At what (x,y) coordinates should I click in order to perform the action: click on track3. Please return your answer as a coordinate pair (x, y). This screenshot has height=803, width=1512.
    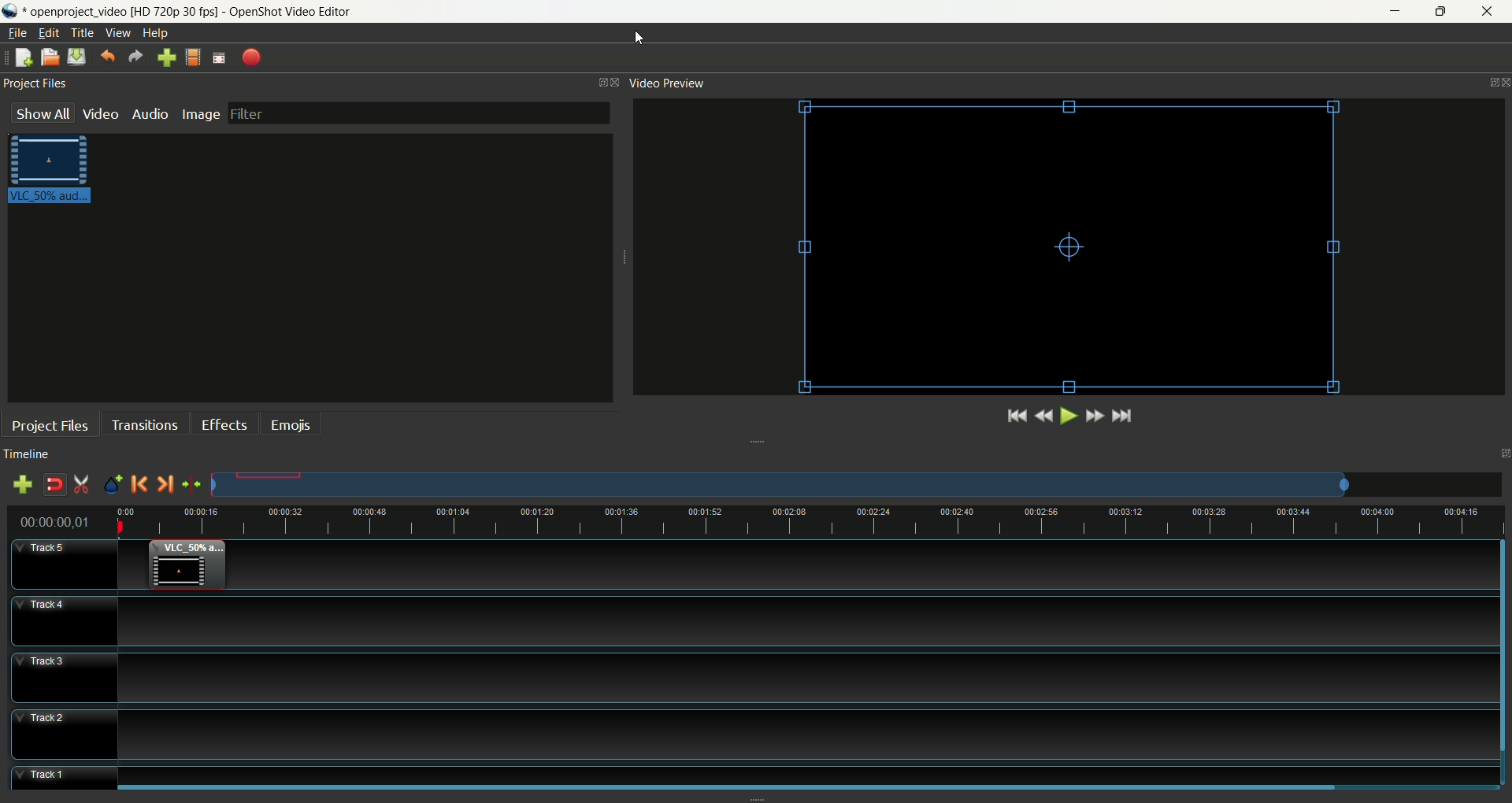
    Looking at the image, I should click on (755, 678).